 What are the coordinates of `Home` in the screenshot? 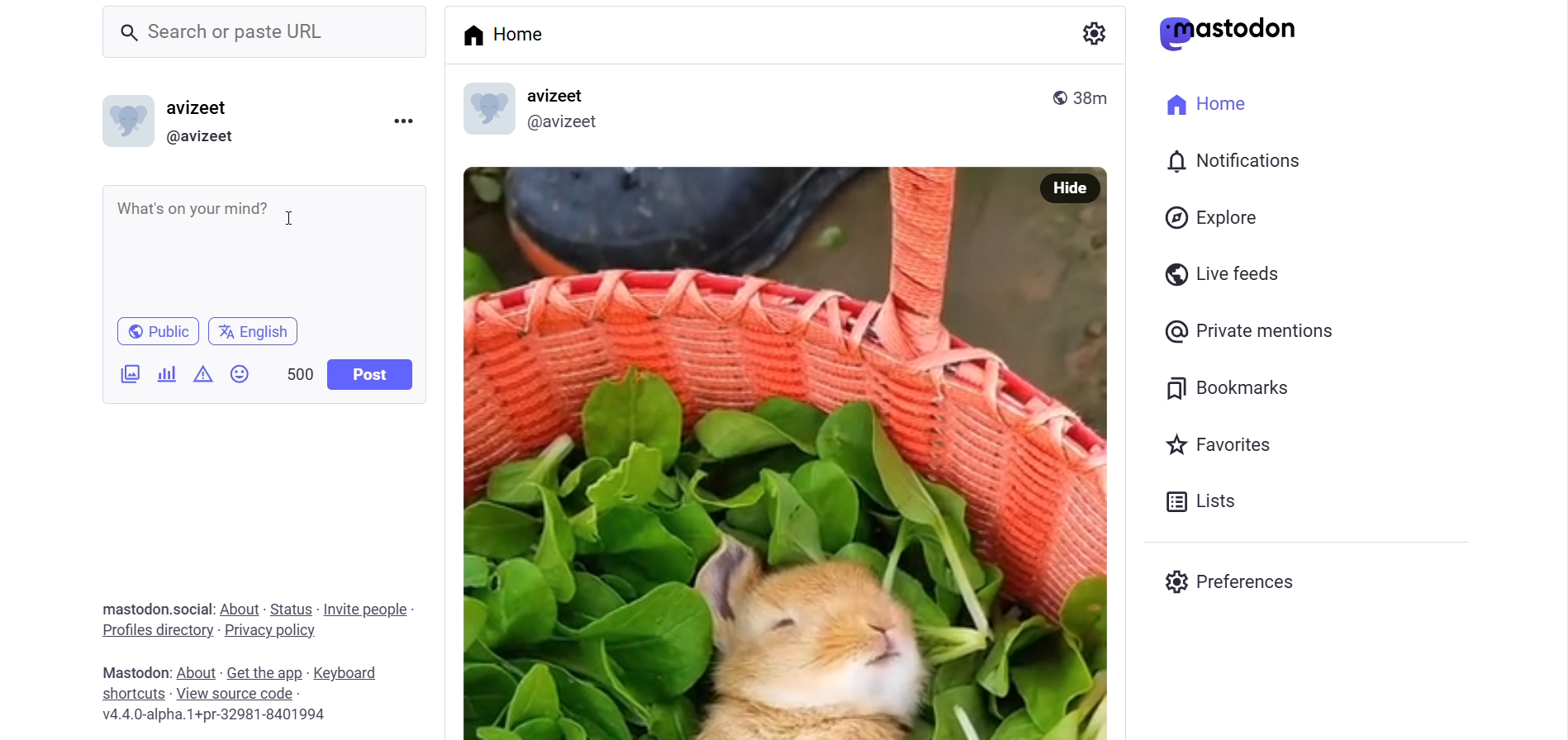 It's located at (506, 32).